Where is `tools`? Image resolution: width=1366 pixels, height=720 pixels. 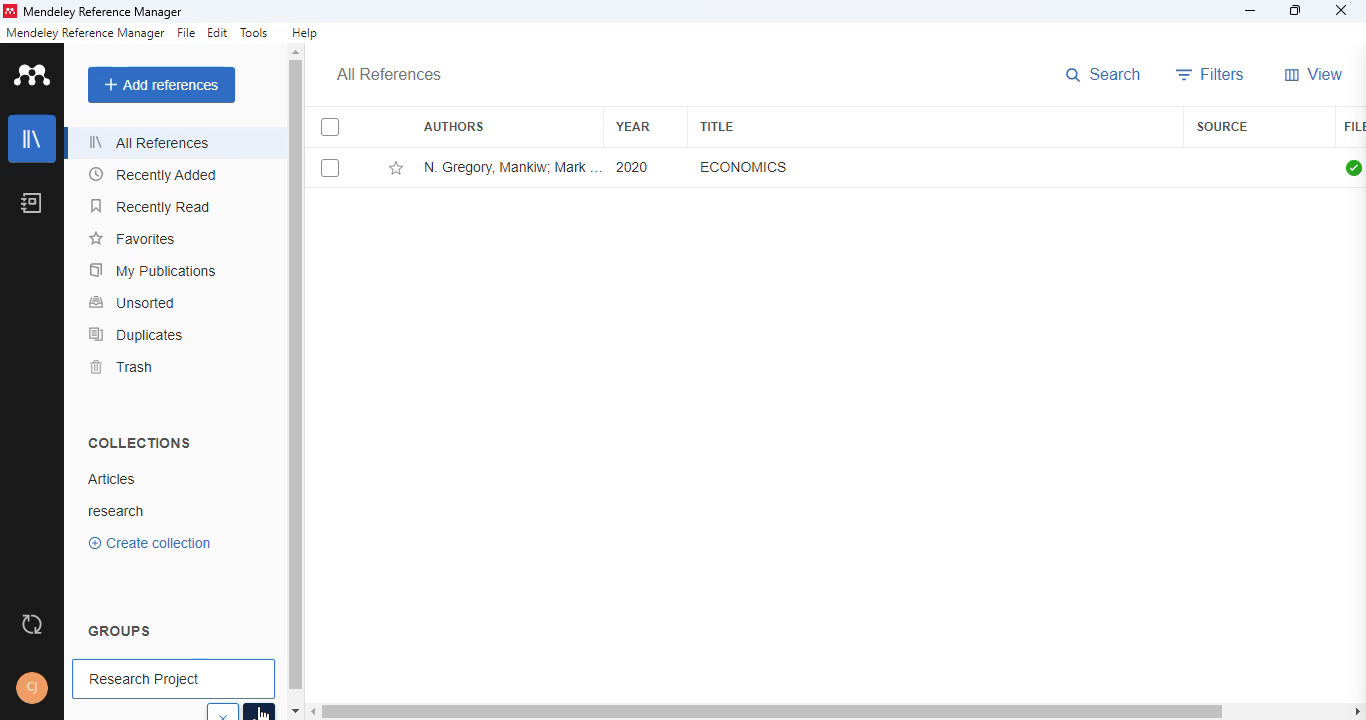
tools is located at coordinates (255, 32).